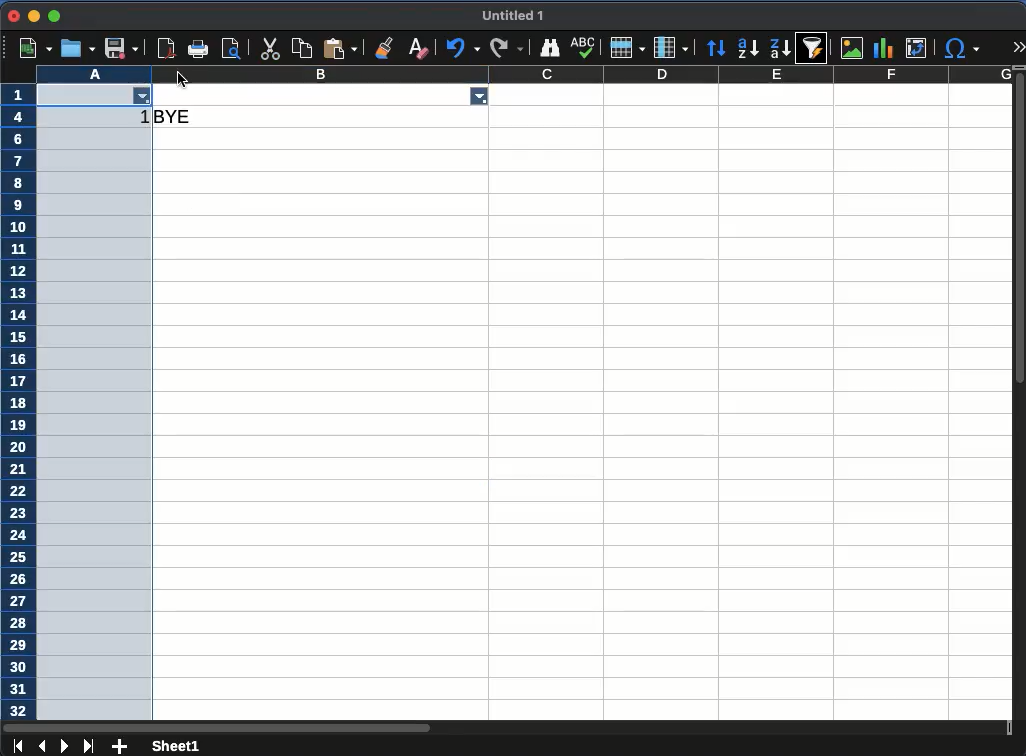 This screenshot has width=1026, height=756. What do you see at coordinates (36, 47) in the screenshot?
I see `new` at bounding box center [36, 47].